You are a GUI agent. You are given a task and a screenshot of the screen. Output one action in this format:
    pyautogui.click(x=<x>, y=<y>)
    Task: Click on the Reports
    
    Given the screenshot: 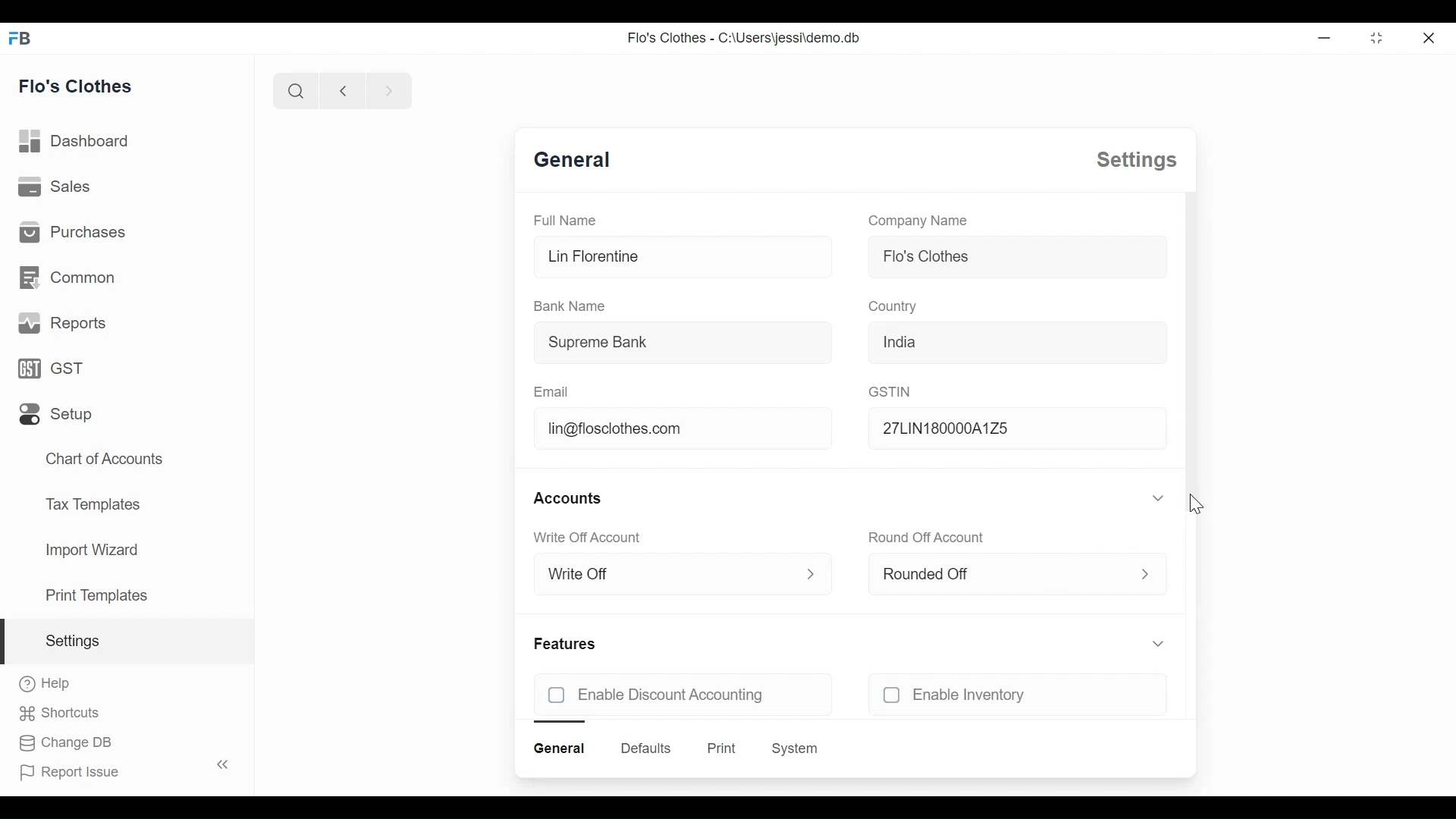 What is the action you would take?
    pyautogui.click(x=61, y=323)
    